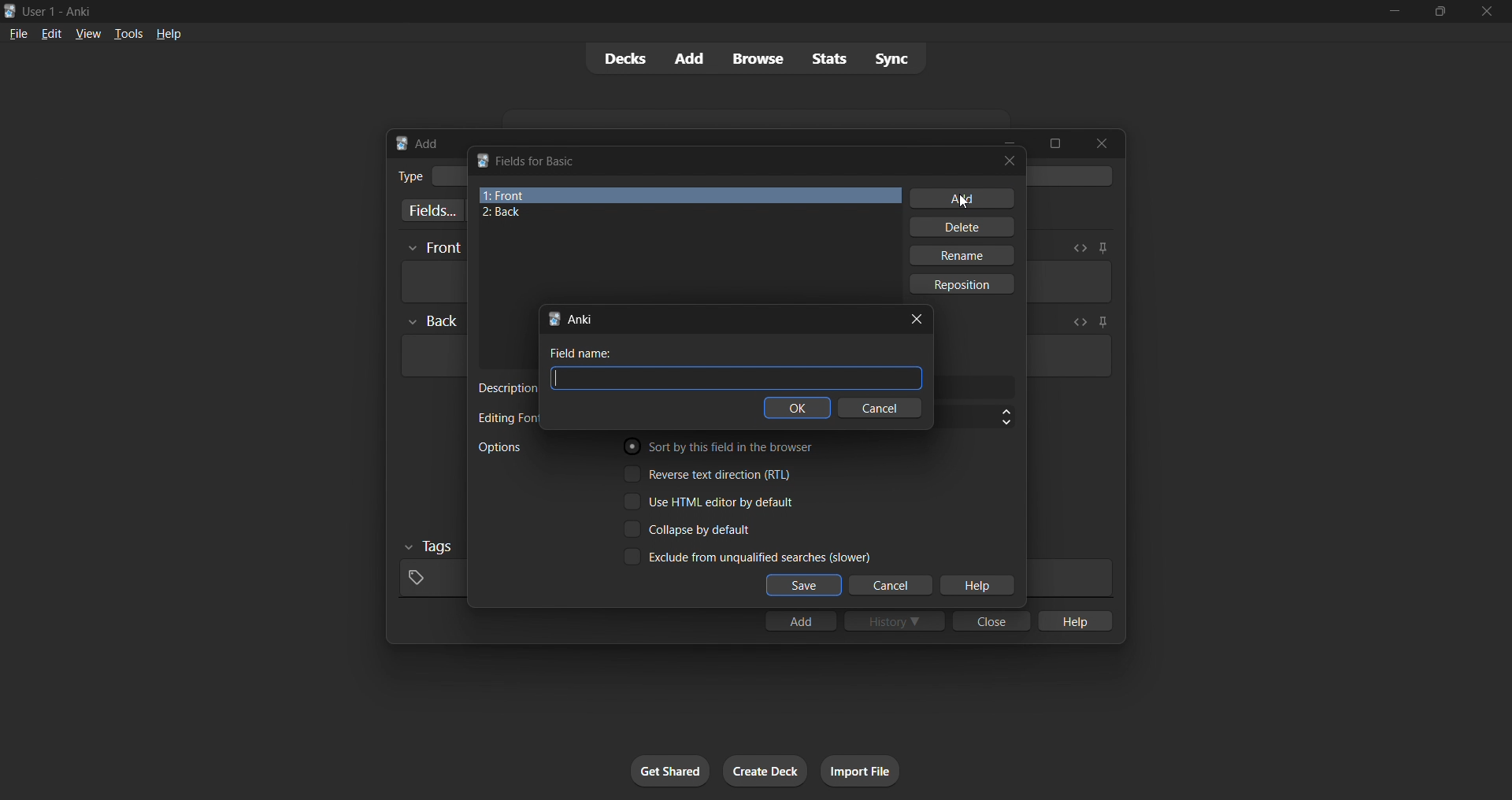 Image resolution: width=1512 pixels, height=800 pixels. I want to click on tools, so click(127, 33).